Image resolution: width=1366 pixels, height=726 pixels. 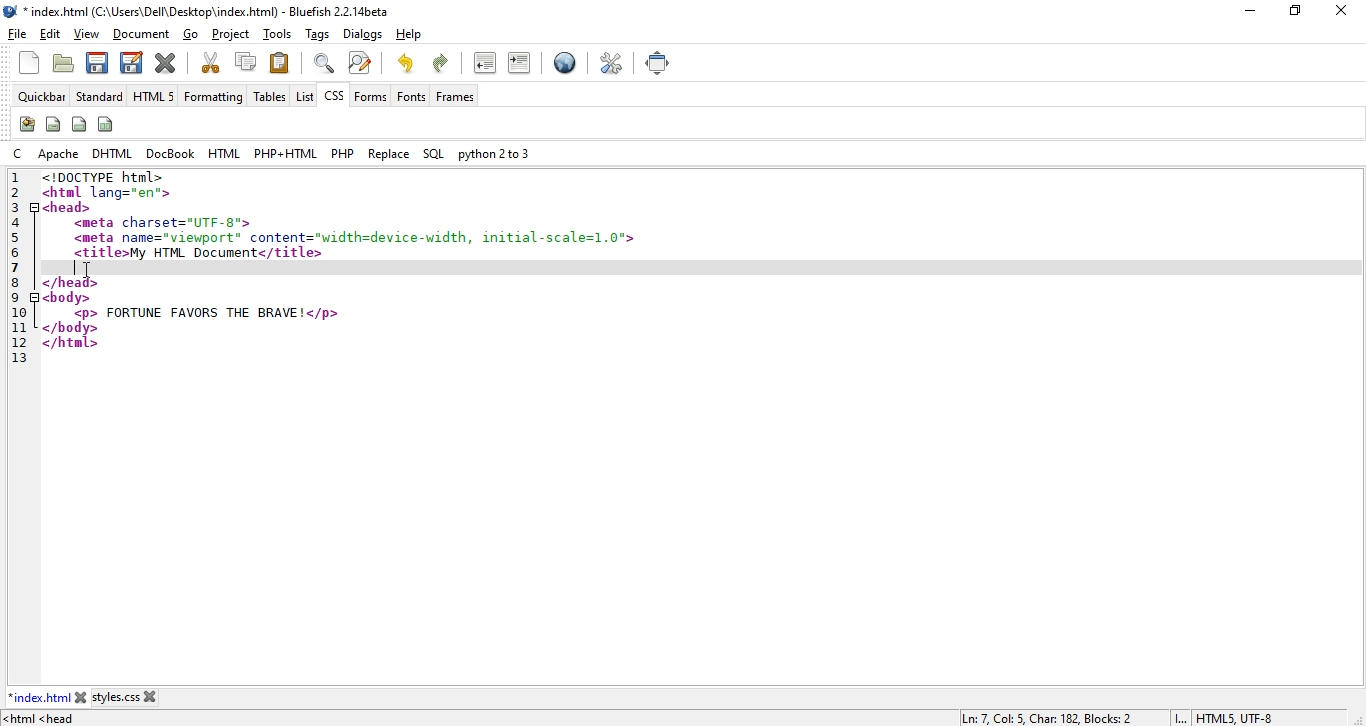 What do you see at coordinates (1346, 9) in the screenshot?
I see `close` at bounding box center [1346, 9].